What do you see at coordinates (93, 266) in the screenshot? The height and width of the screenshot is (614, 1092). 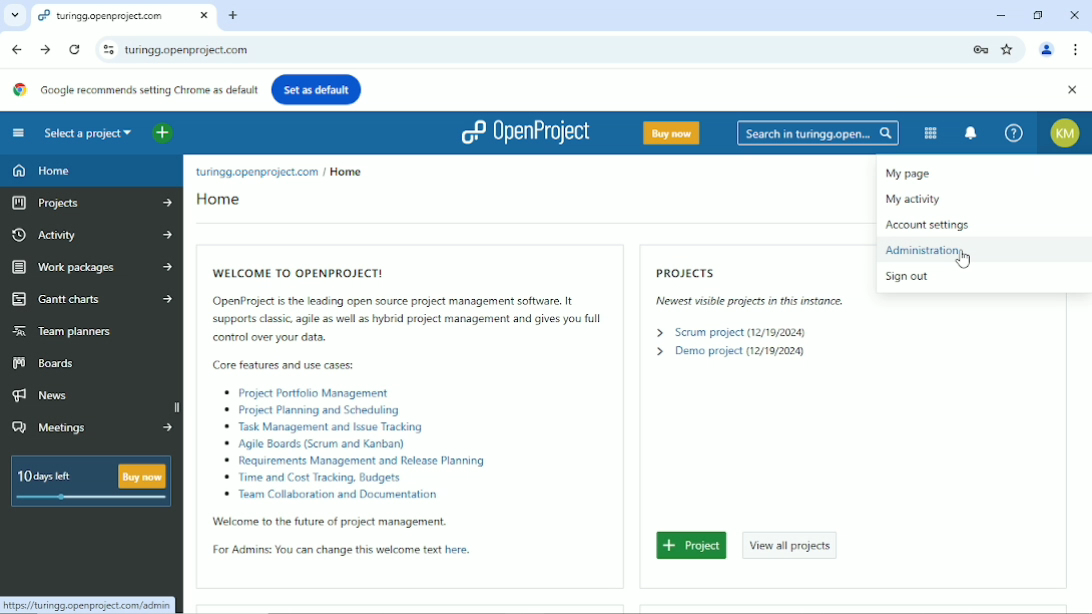 I see `Work packages` at bounding box center [93, 266].